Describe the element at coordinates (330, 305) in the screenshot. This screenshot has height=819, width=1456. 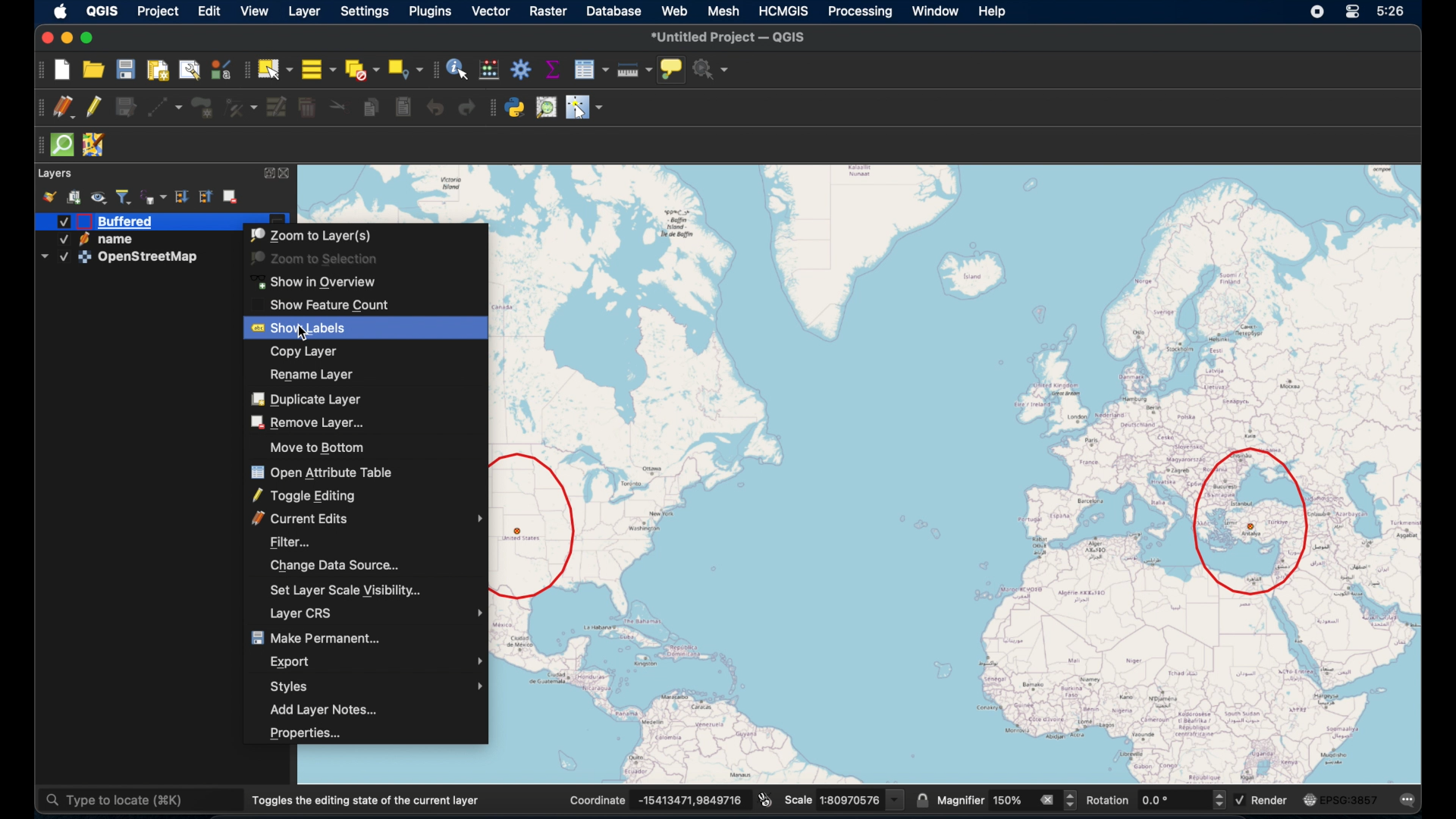
I see `show feature count` at that location.